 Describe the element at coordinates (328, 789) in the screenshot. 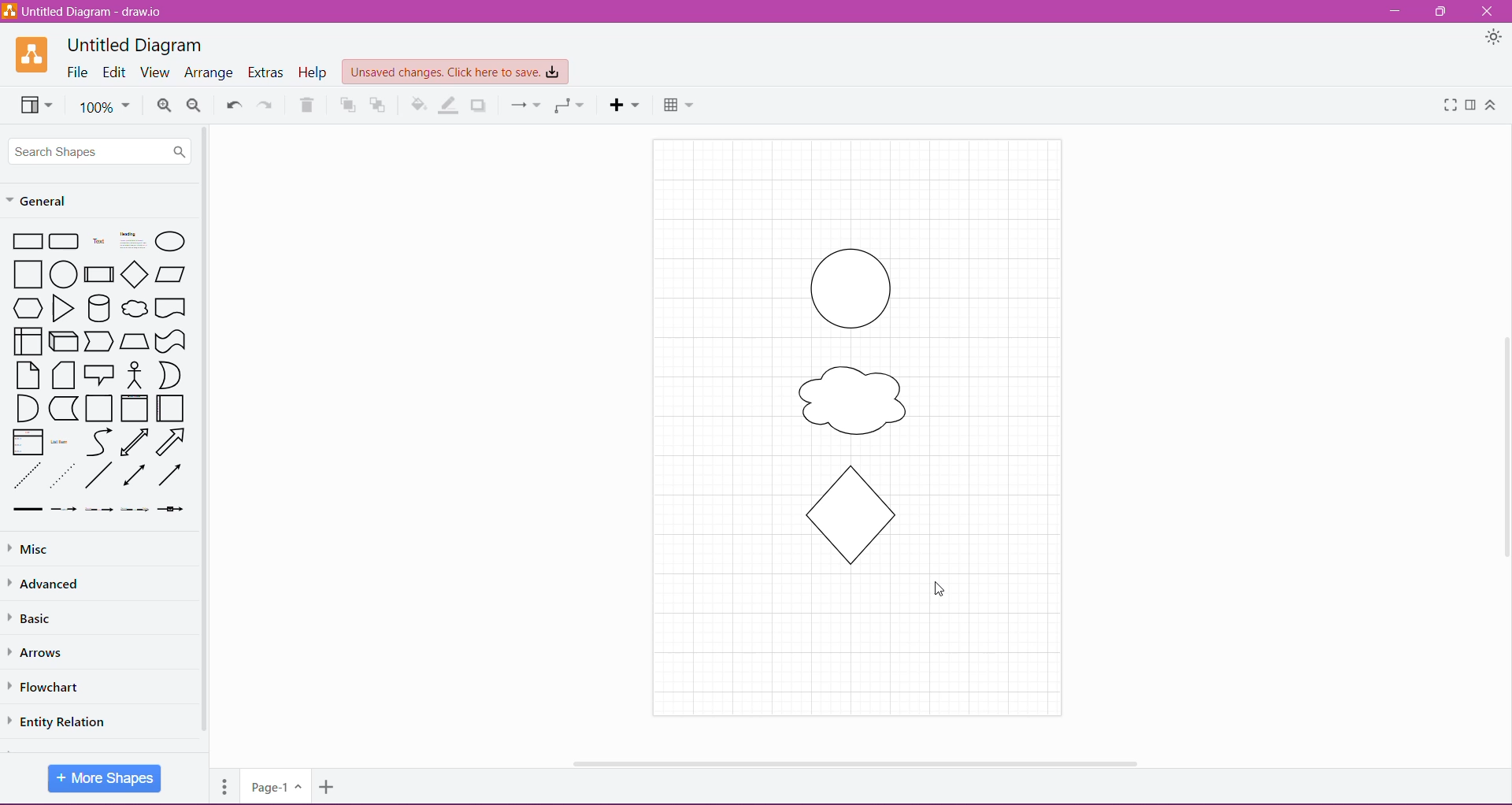

I see `Insert Page` at that location.